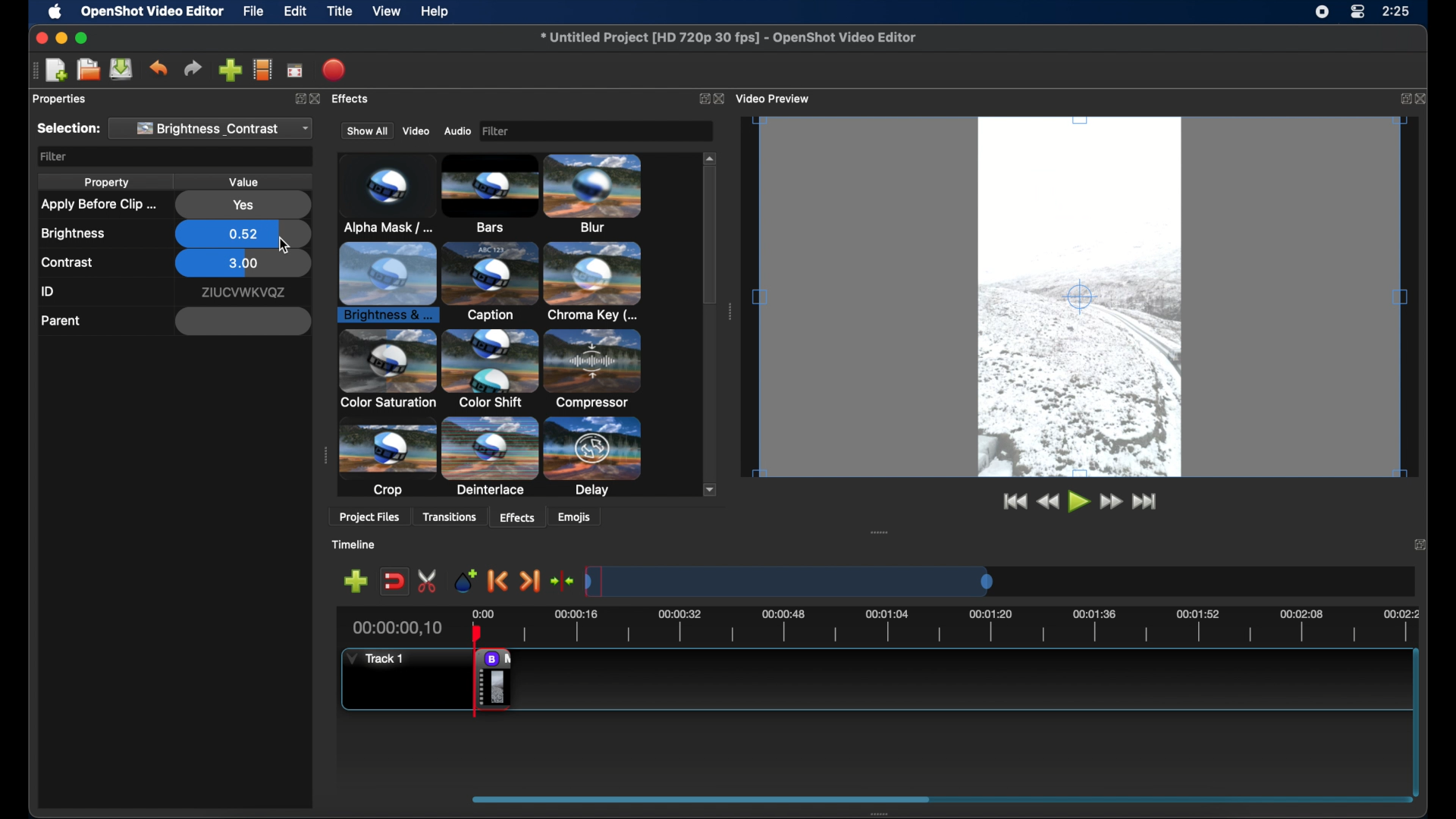 The width and height of the screenshot is (1456, 819). I want to click on close, so click(723, 99).